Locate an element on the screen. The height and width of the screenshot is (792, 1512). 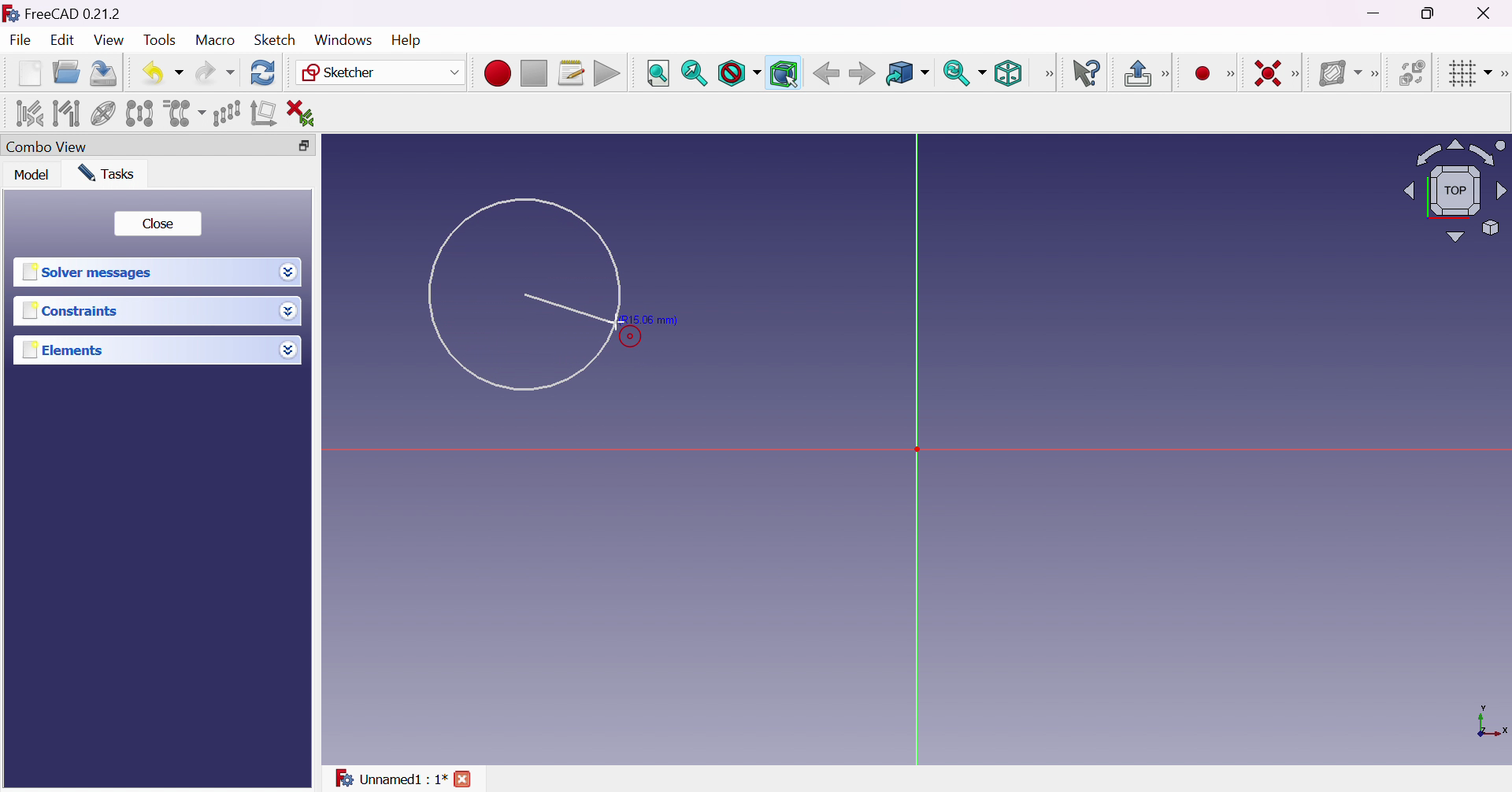
Back is located at coordinates (826, 72).